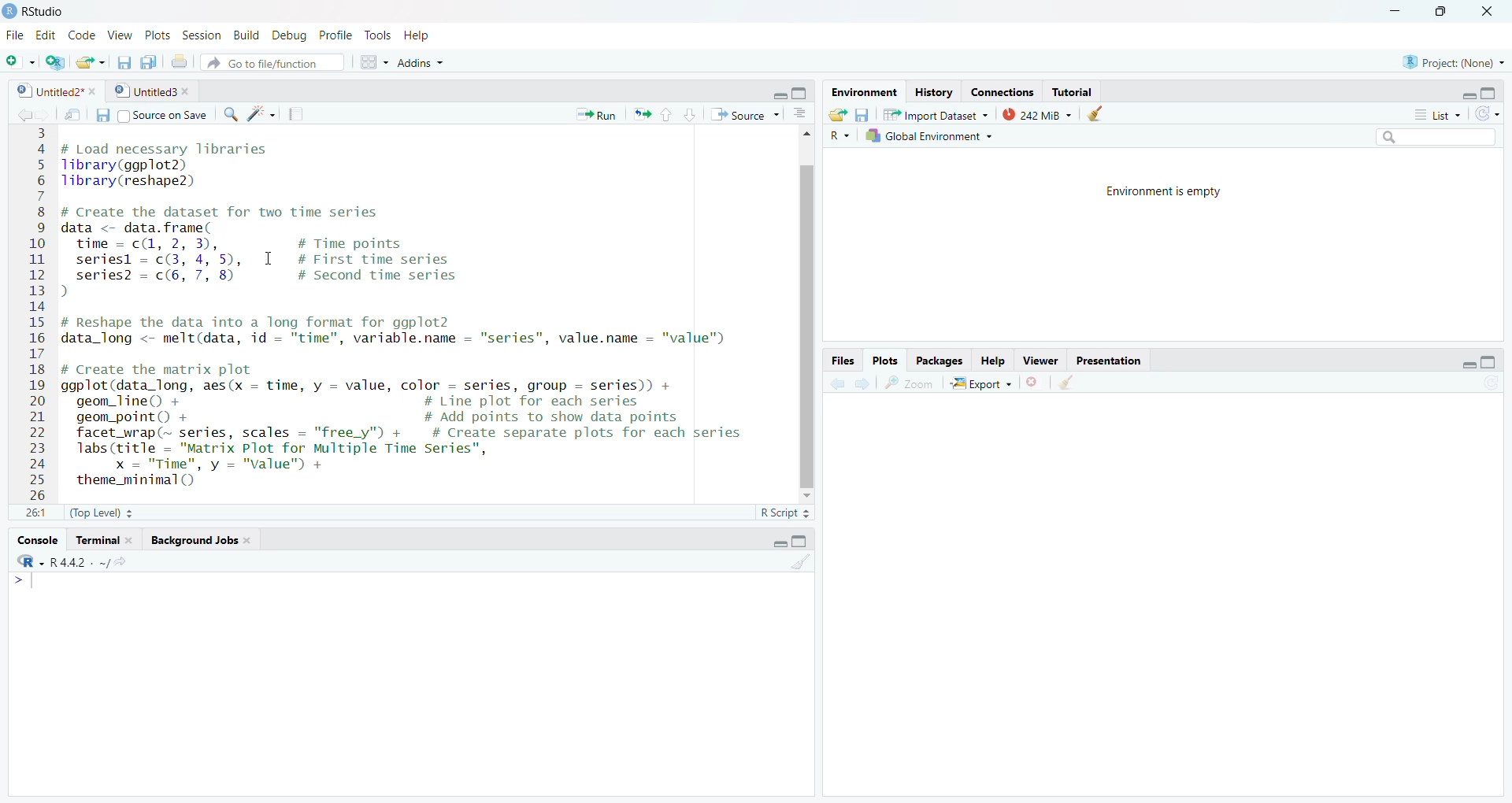 The image size is (1512, 803). I want to click on Help, so click(992, 359).